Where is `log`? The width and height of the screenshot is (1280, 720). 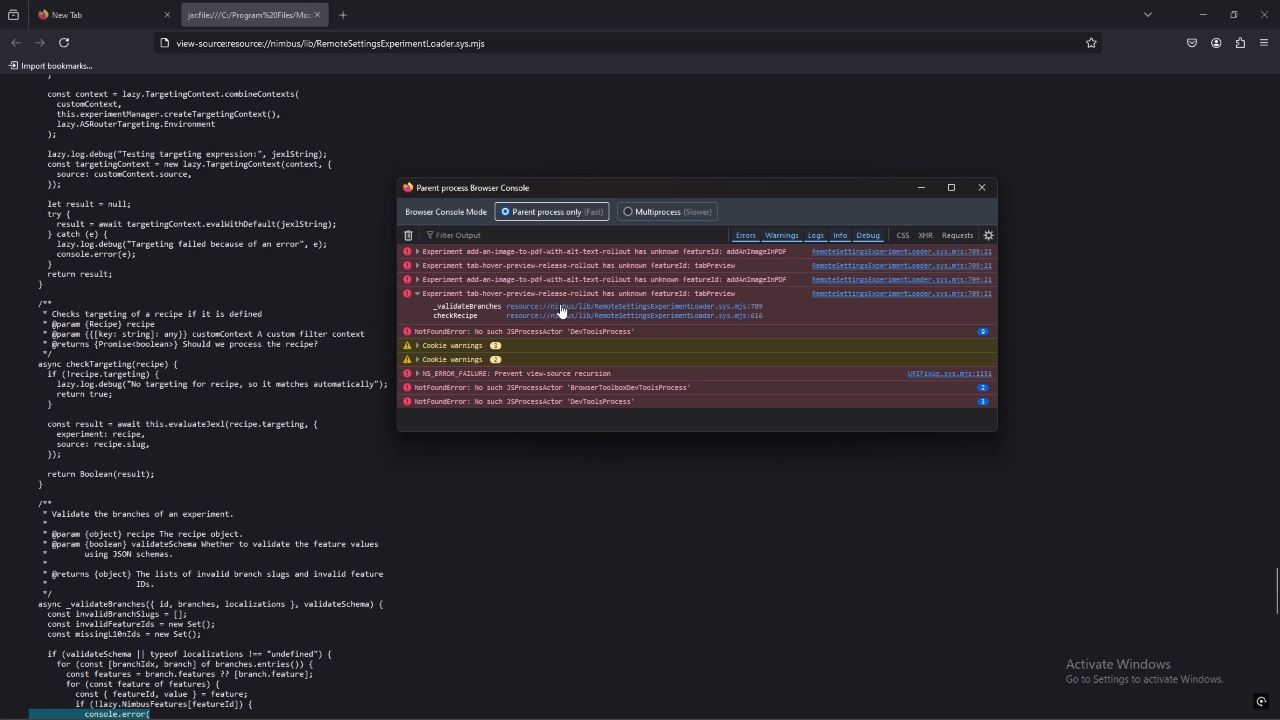
log is located at coordinates (583, 293).